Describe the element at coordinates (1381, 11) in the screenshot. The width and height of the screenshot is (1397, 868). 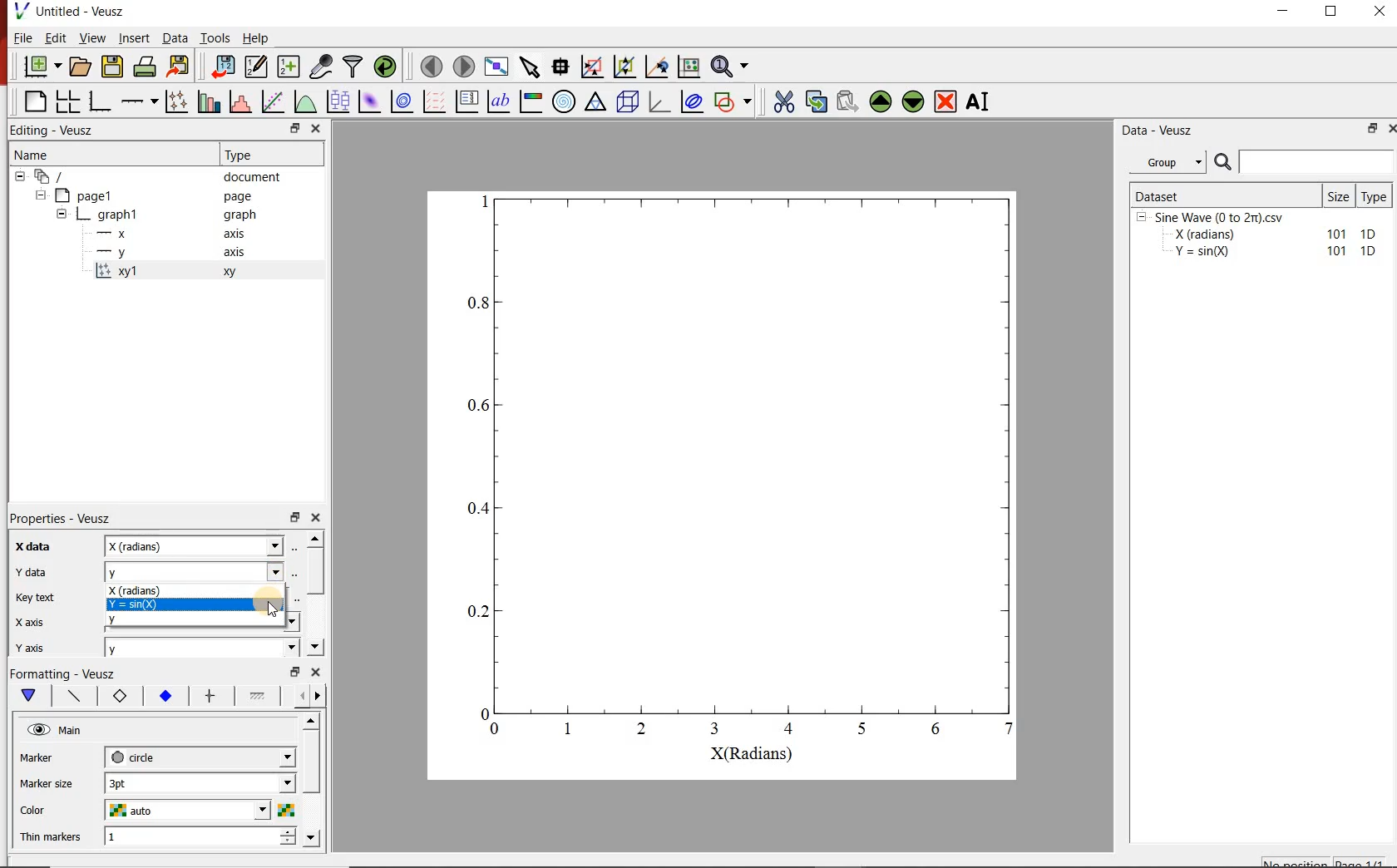
I see `Close` at that location.